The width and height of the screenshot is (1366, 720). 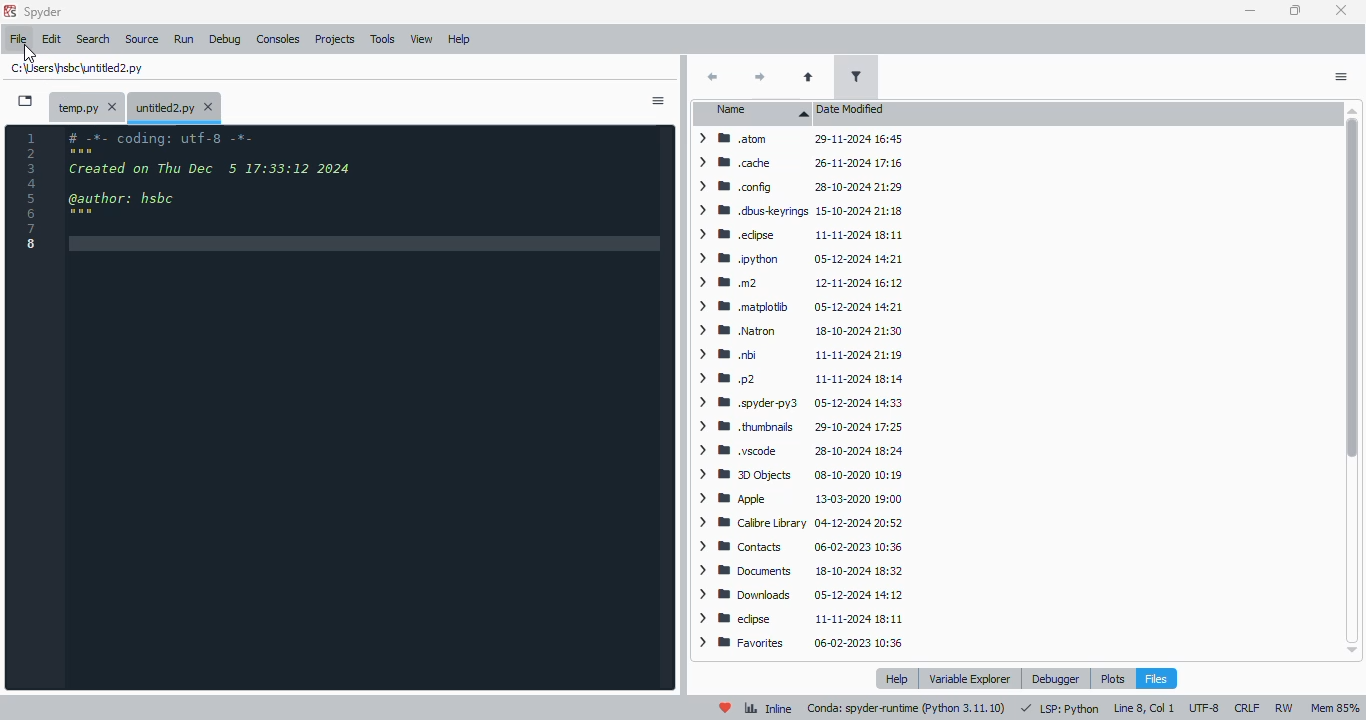 What do you see at coordinates (857, 76) in the screenshot?
I see `filter` at bounding box center [857, 76].